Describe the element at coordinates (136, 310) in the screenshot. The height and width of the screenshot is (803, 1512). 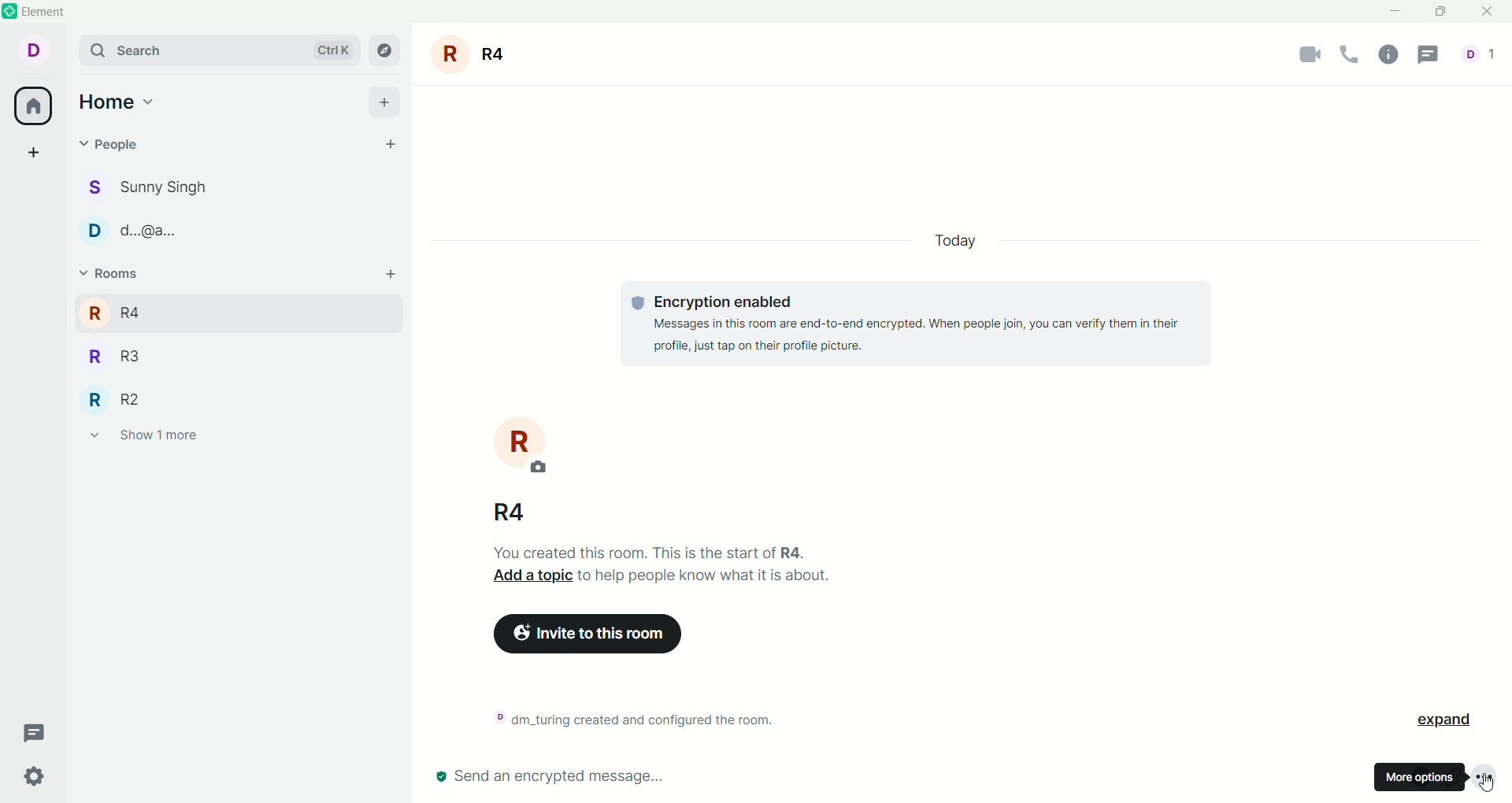
I see `R4` at that location.